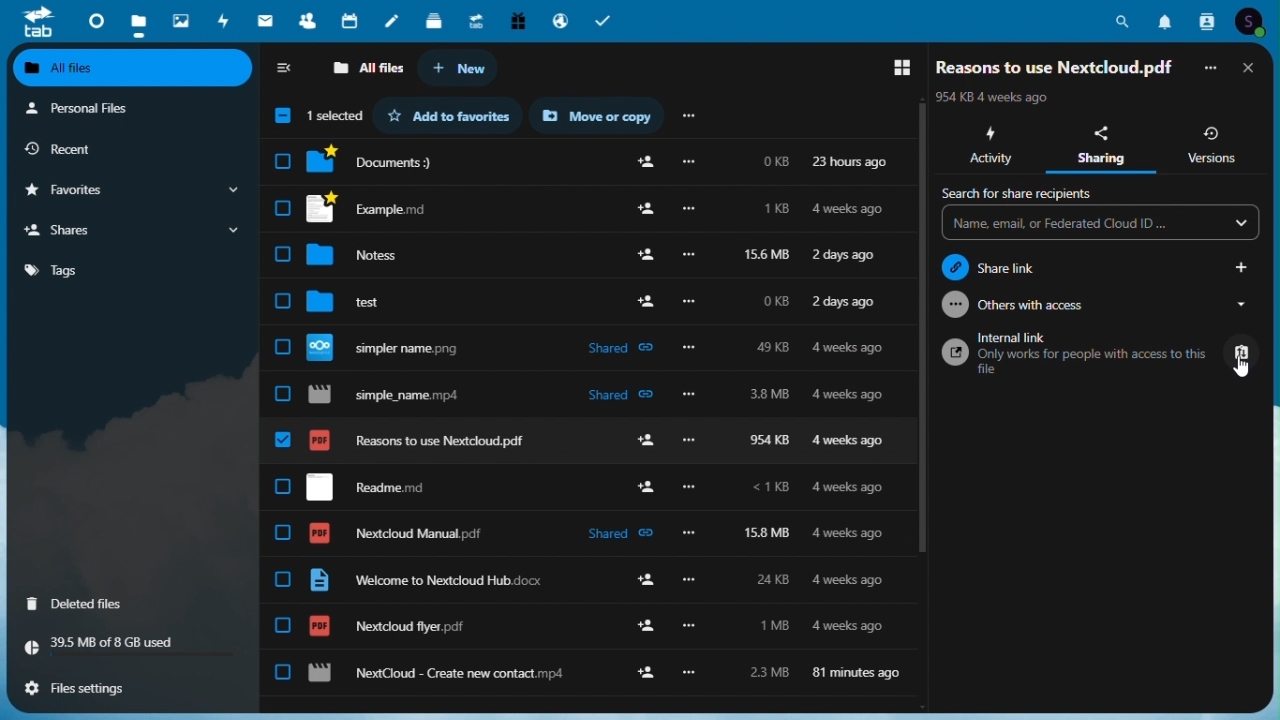 This screenshot has height=720, width=1280. I want to click on cursor, so click(1240, 372).